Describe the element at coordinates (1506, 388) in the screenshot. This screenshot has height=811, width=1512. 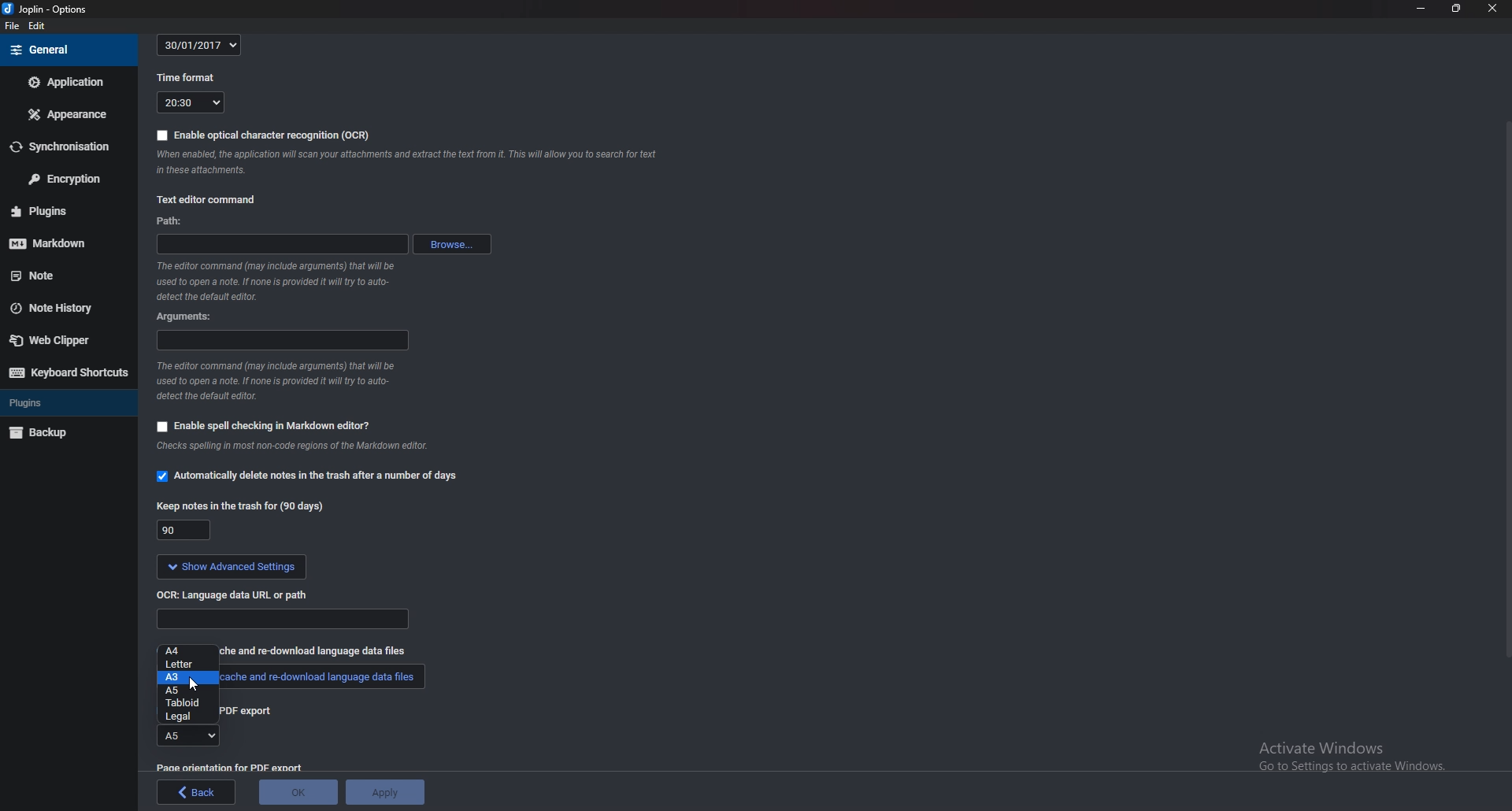
I see `Scroll bar` at that location.